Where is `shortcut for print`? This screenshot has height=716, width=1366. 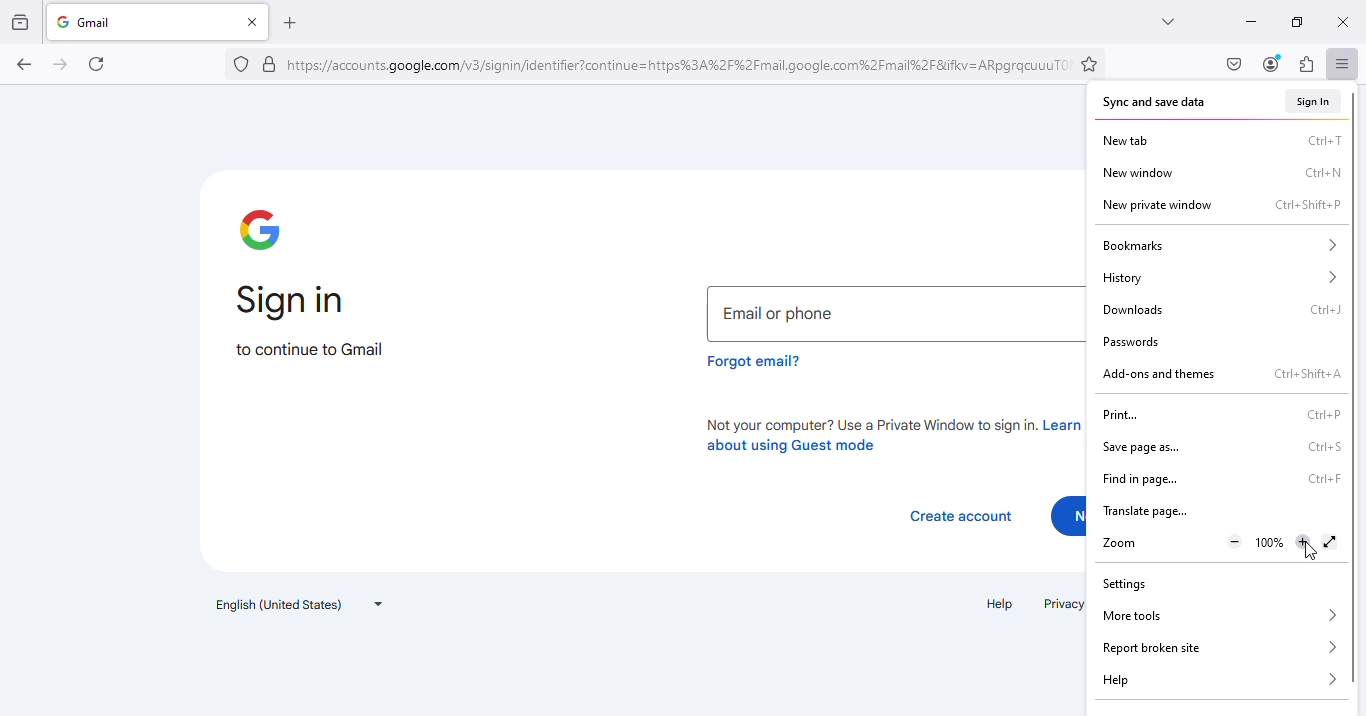 shortcut for print is located at coordinates (1324, 414).